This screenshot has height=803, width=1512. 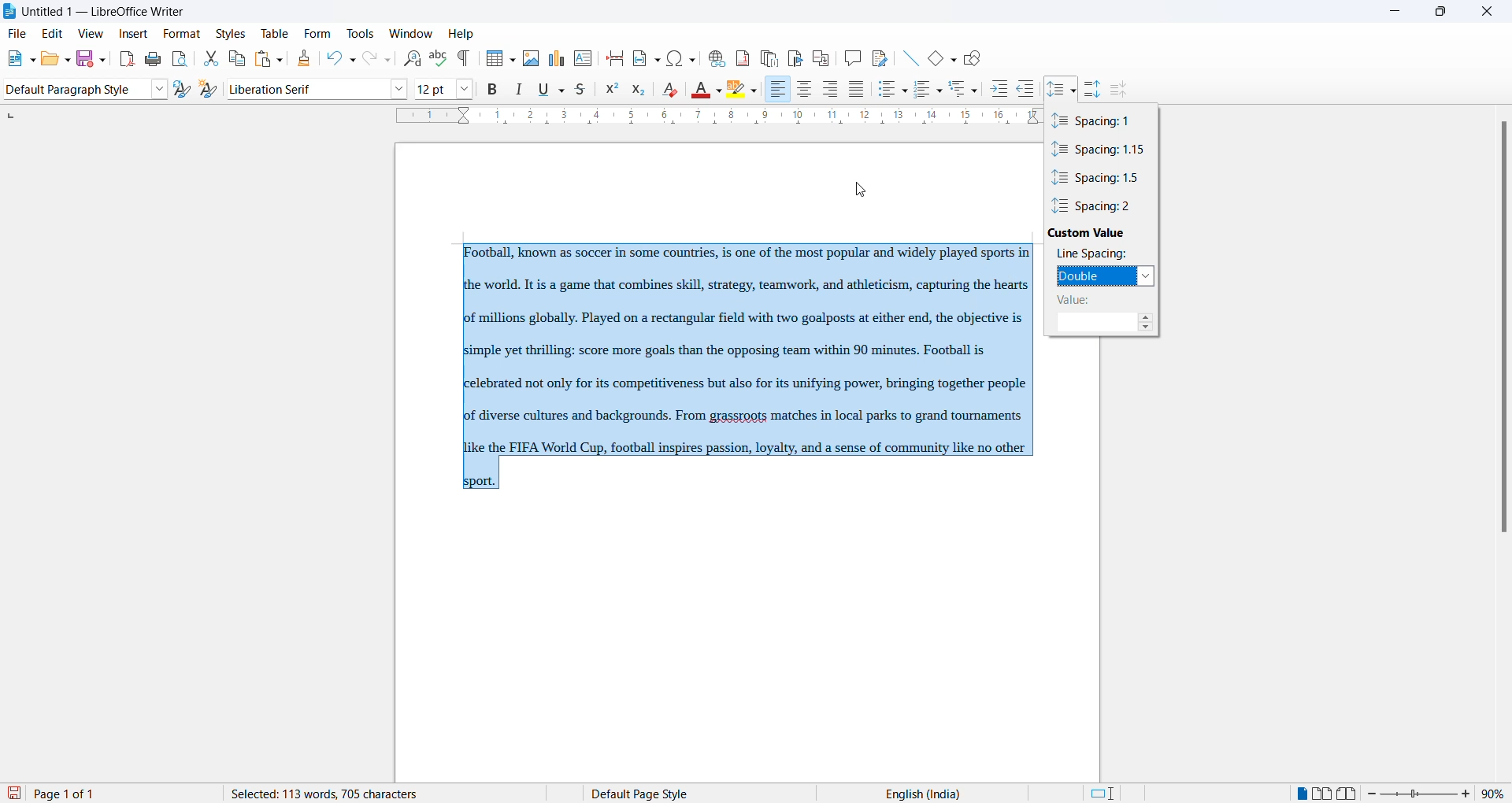 What do you see at coordinates (209, 56) in the screenshot?
I see `cut` at bounding box center [209, 56].